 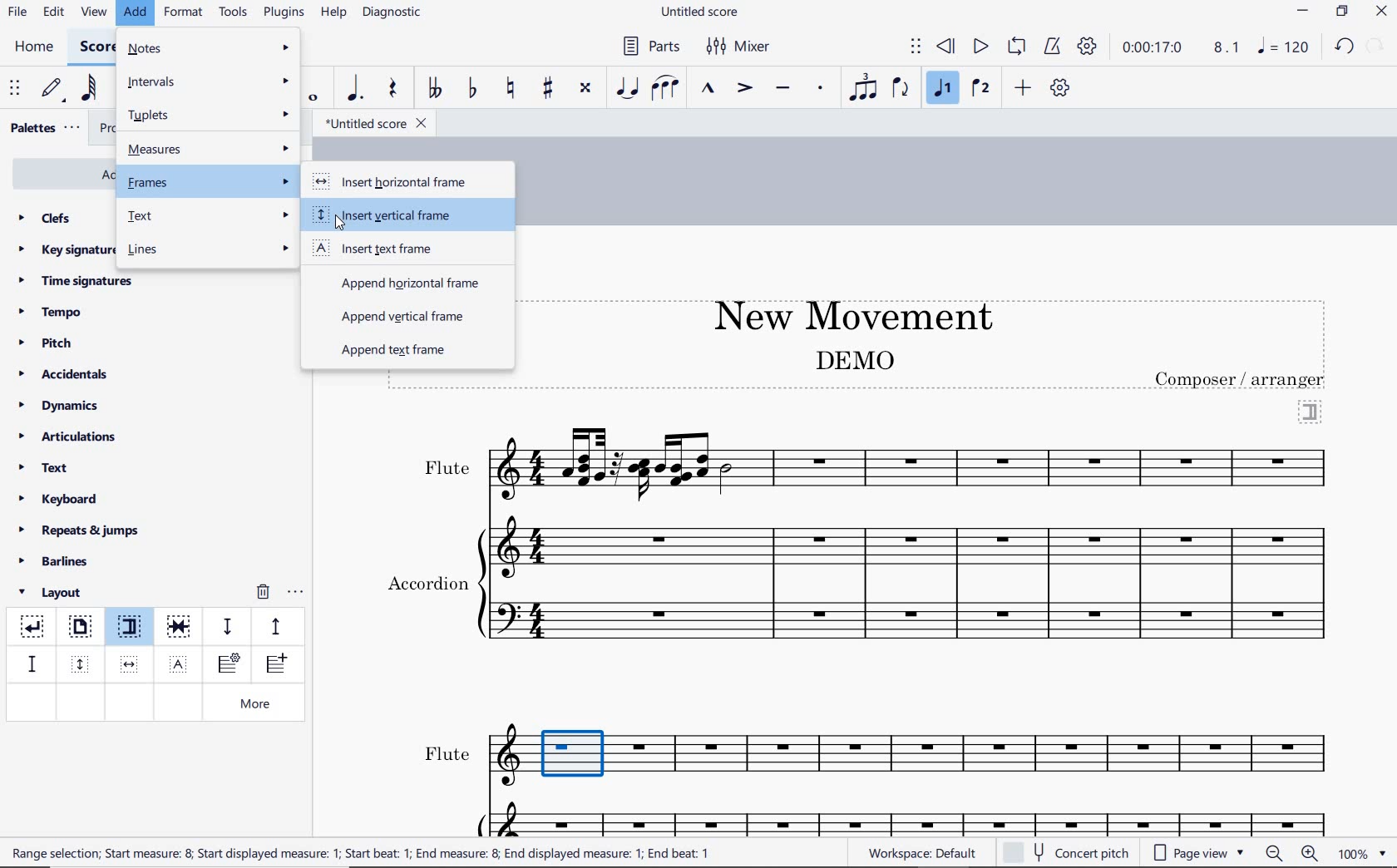 What do you see at coordinates (295, 589) in the screenshot?
I see `options` at bounding box center [295, 589].